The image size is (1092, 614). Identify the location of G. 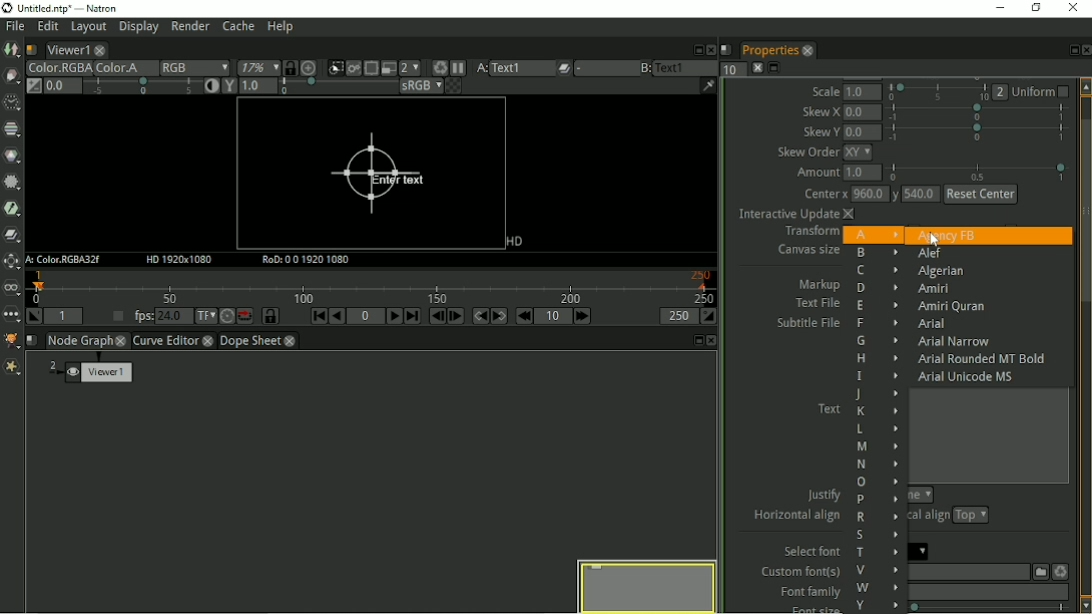
(875, 341).